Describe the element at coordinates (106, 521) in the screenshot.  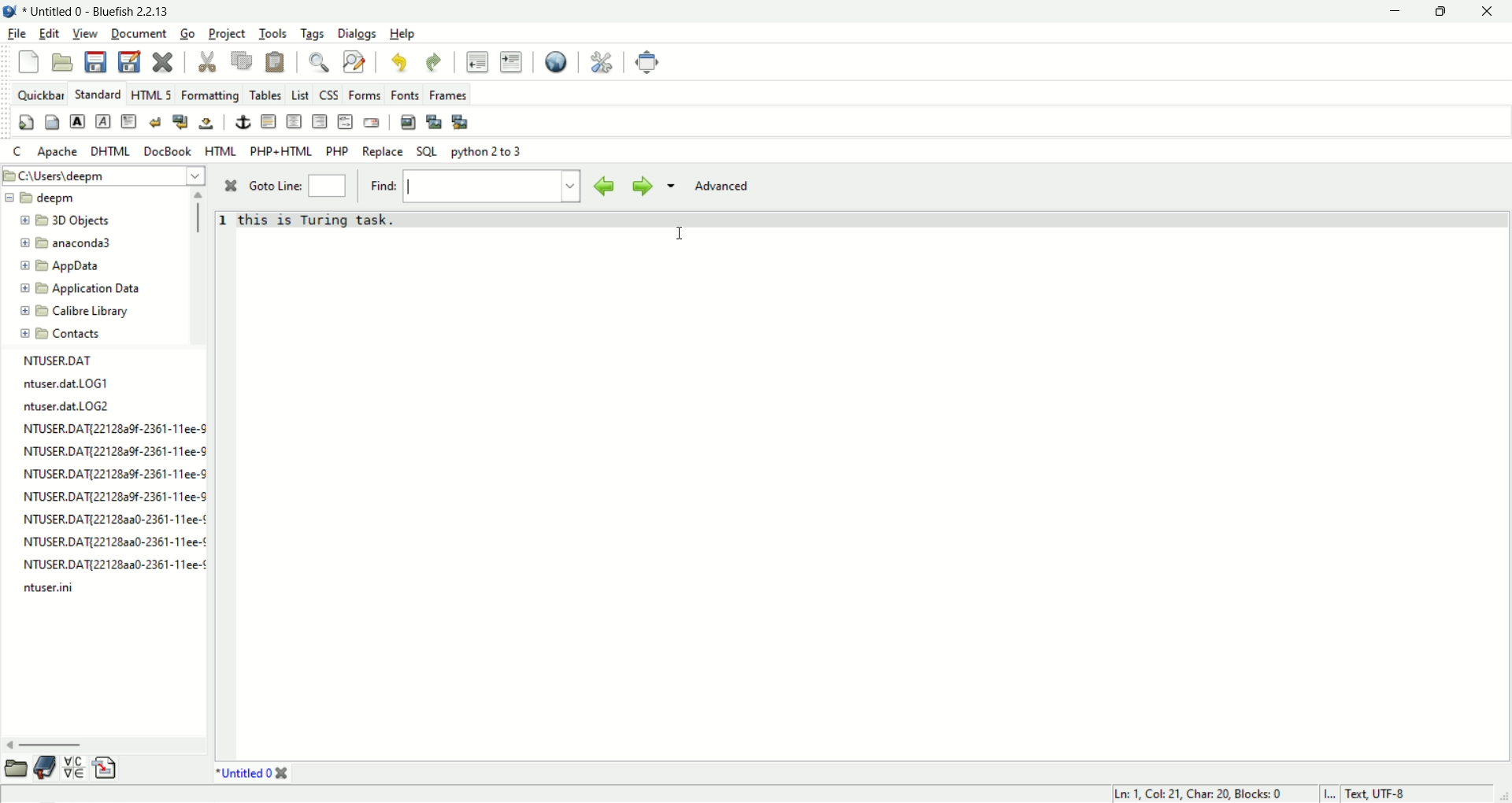
I see `NTUSER.DAT{221282a0-2361-11ee-¢` at that location.